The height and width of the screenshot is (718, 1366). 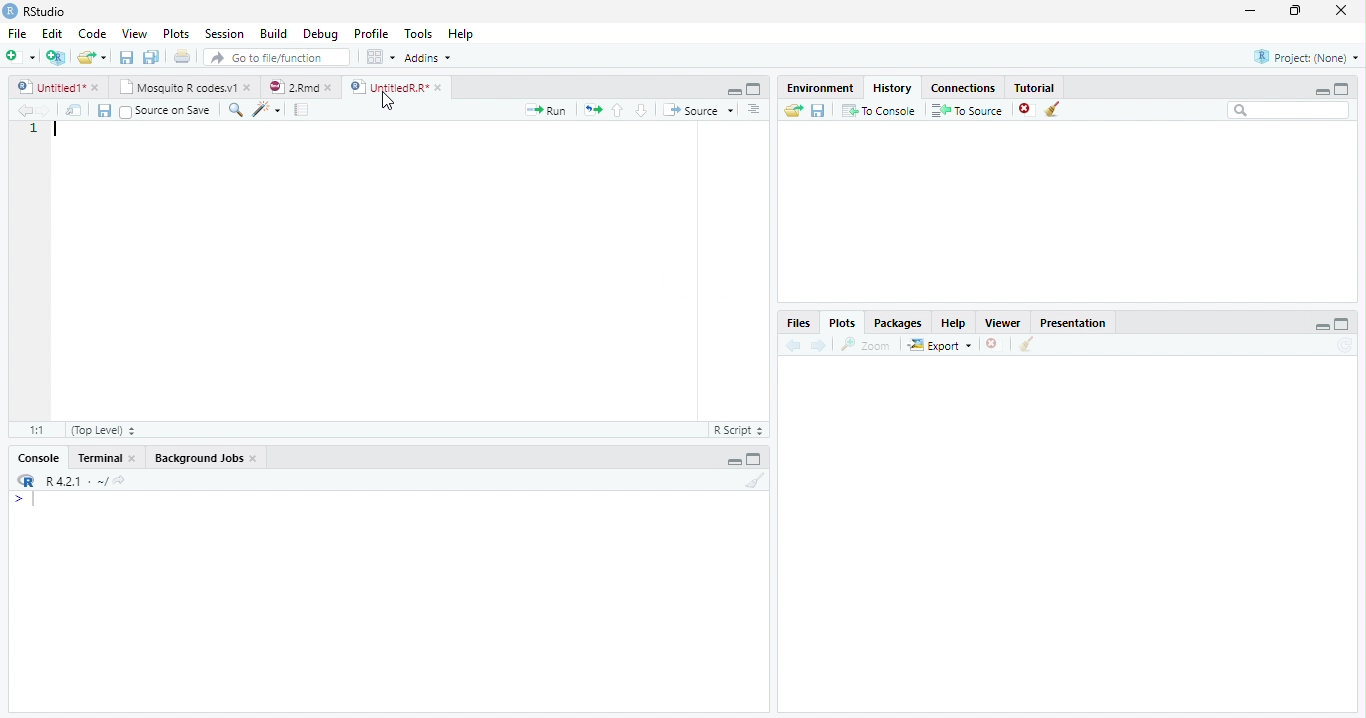 I want to click on Remove current plot, so click(x=994, y=345).